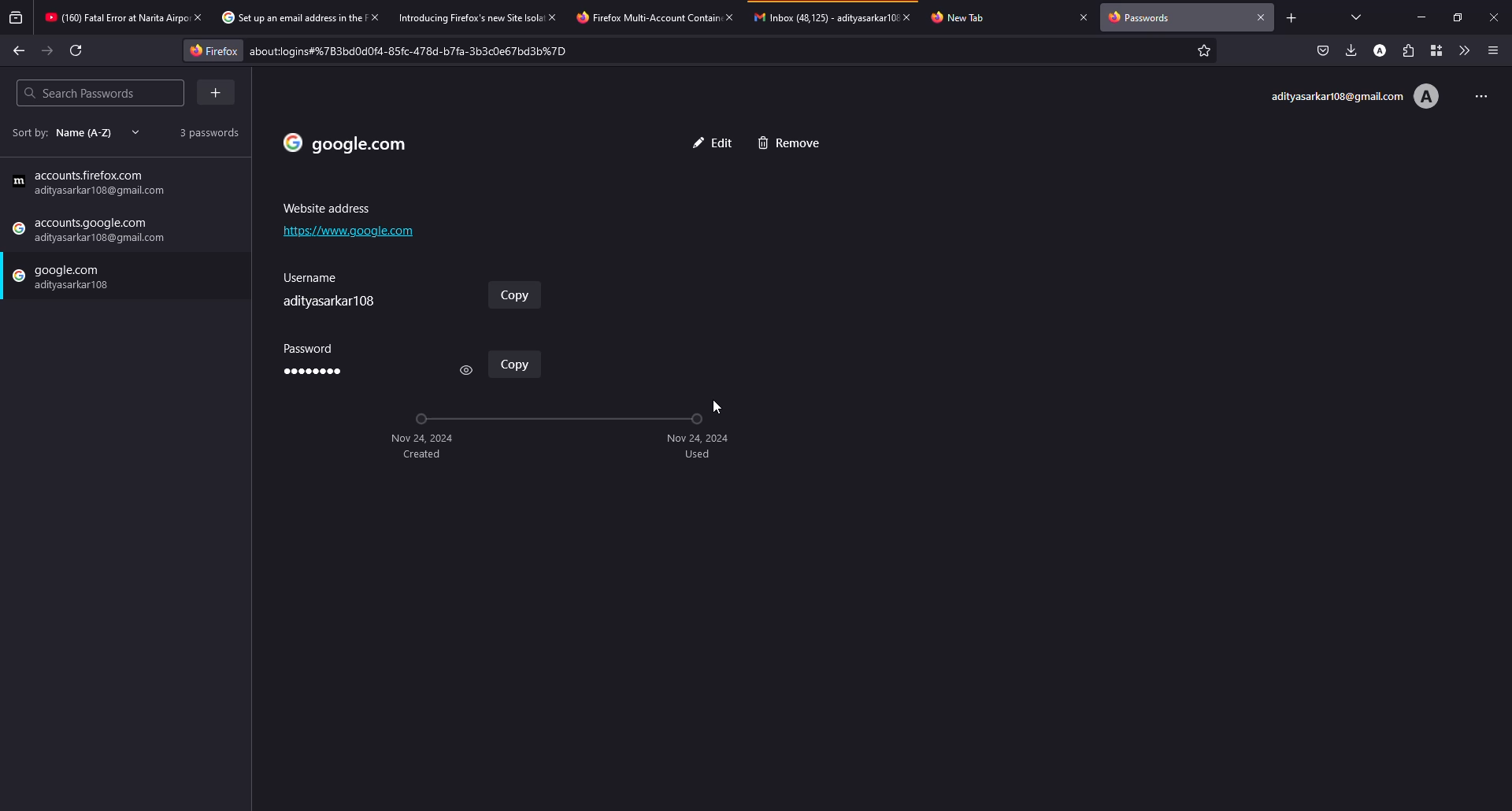  What do you see at coordinates (966, 17) in the screenshot?
I see `tab` at bounding box center [966, 17].